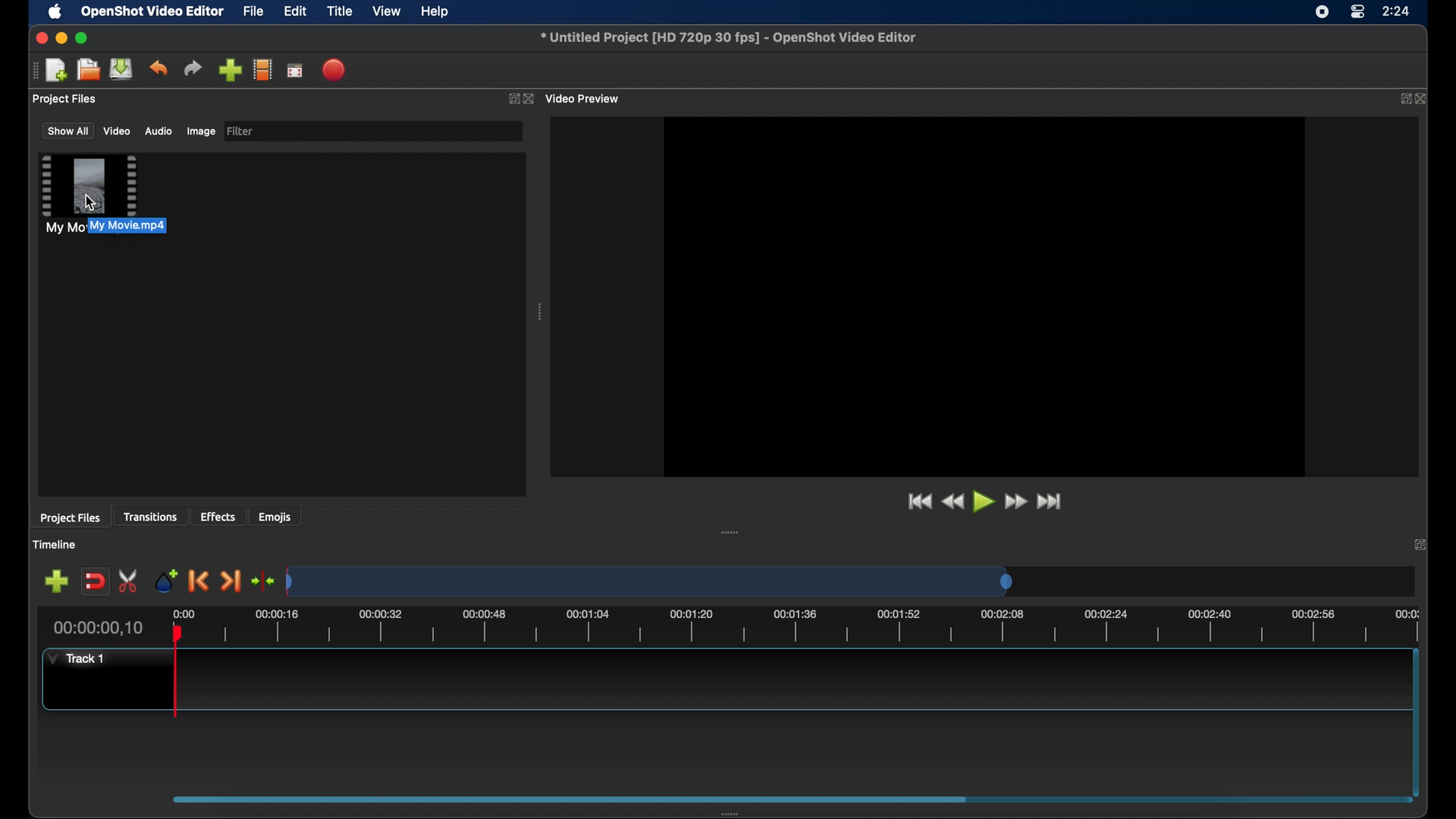 The image size is (1456, 819). I want to click on scroll box, so click(572, 799).